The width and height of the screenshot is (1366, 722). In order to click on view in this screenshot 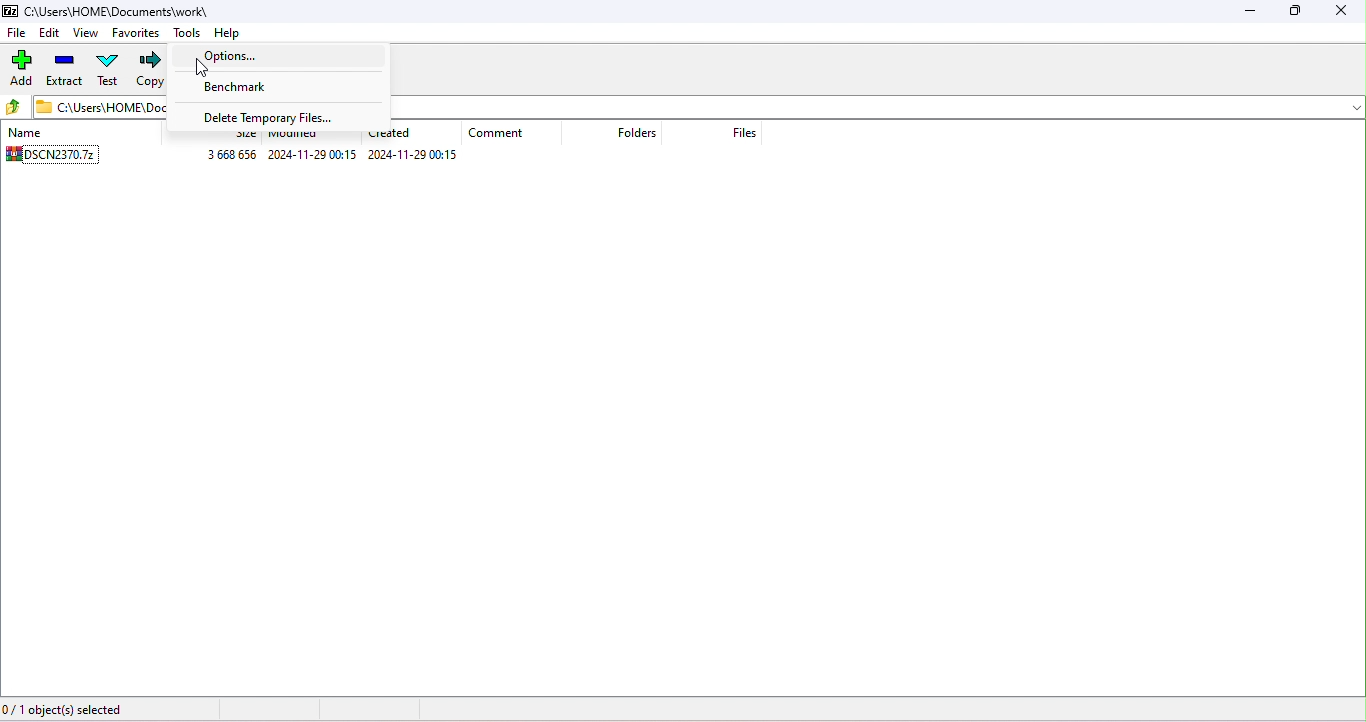, I will do `click(87, 34)`.